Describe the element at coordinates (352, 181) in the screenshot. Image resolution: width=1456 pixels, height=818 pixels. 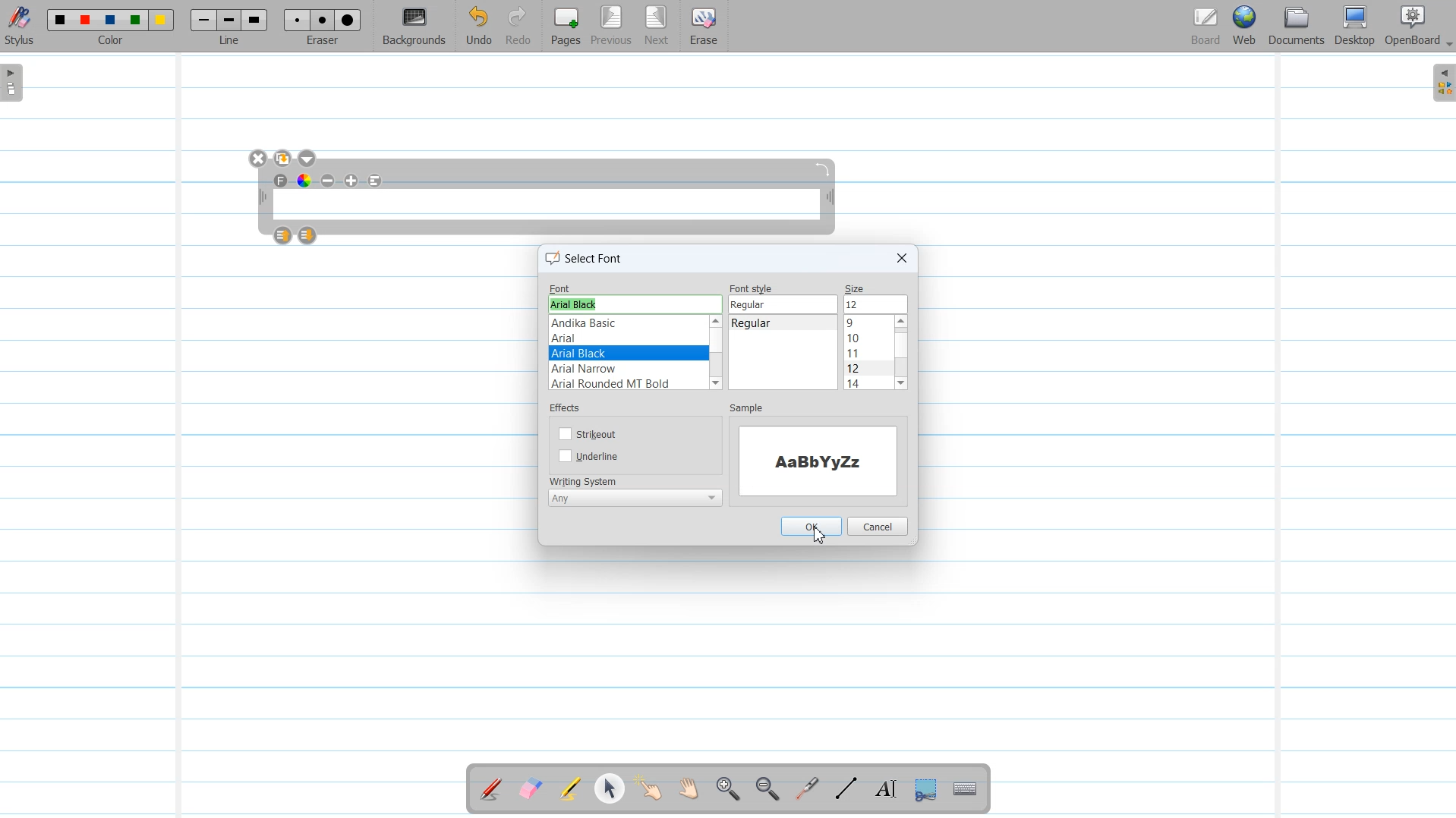
I see `Maximize Text` at that location.